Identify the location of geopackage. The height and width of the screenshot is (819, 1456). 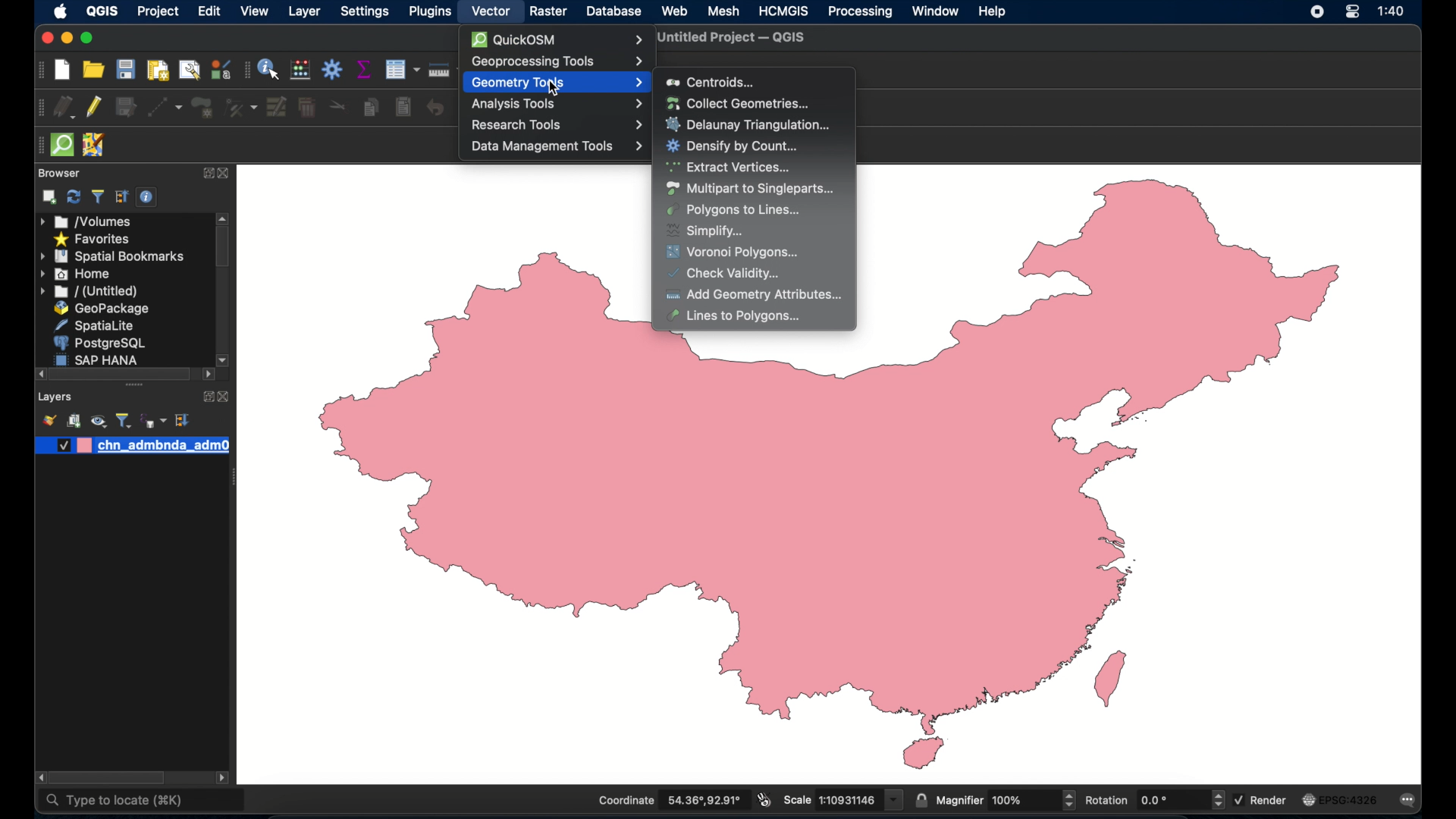
(105, 309).